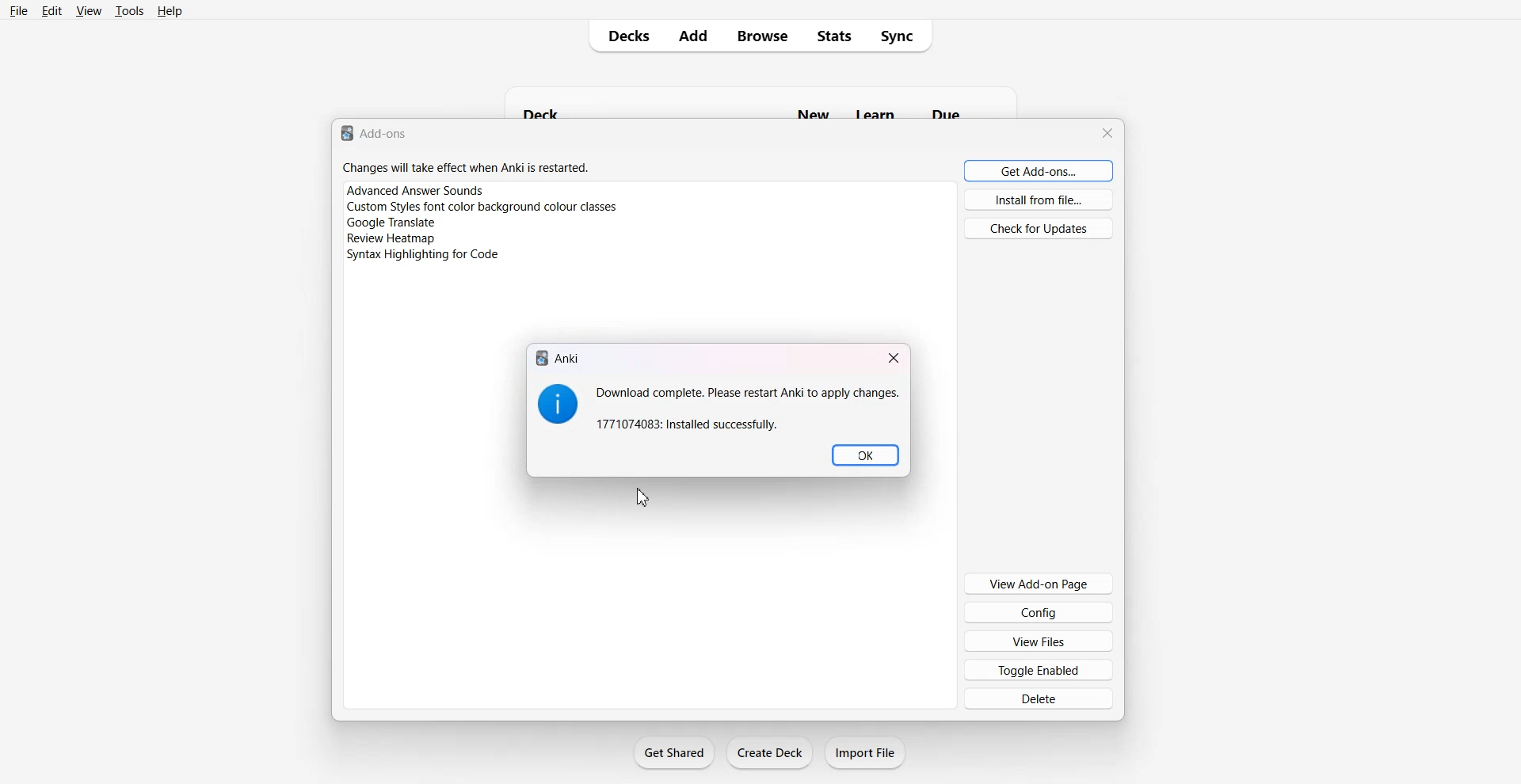 This screenshot has width=1521, height=784. What do you see at coordinates (643, 497) in the screenshot?
I see `Cursor` at bounding box center [643, 497].